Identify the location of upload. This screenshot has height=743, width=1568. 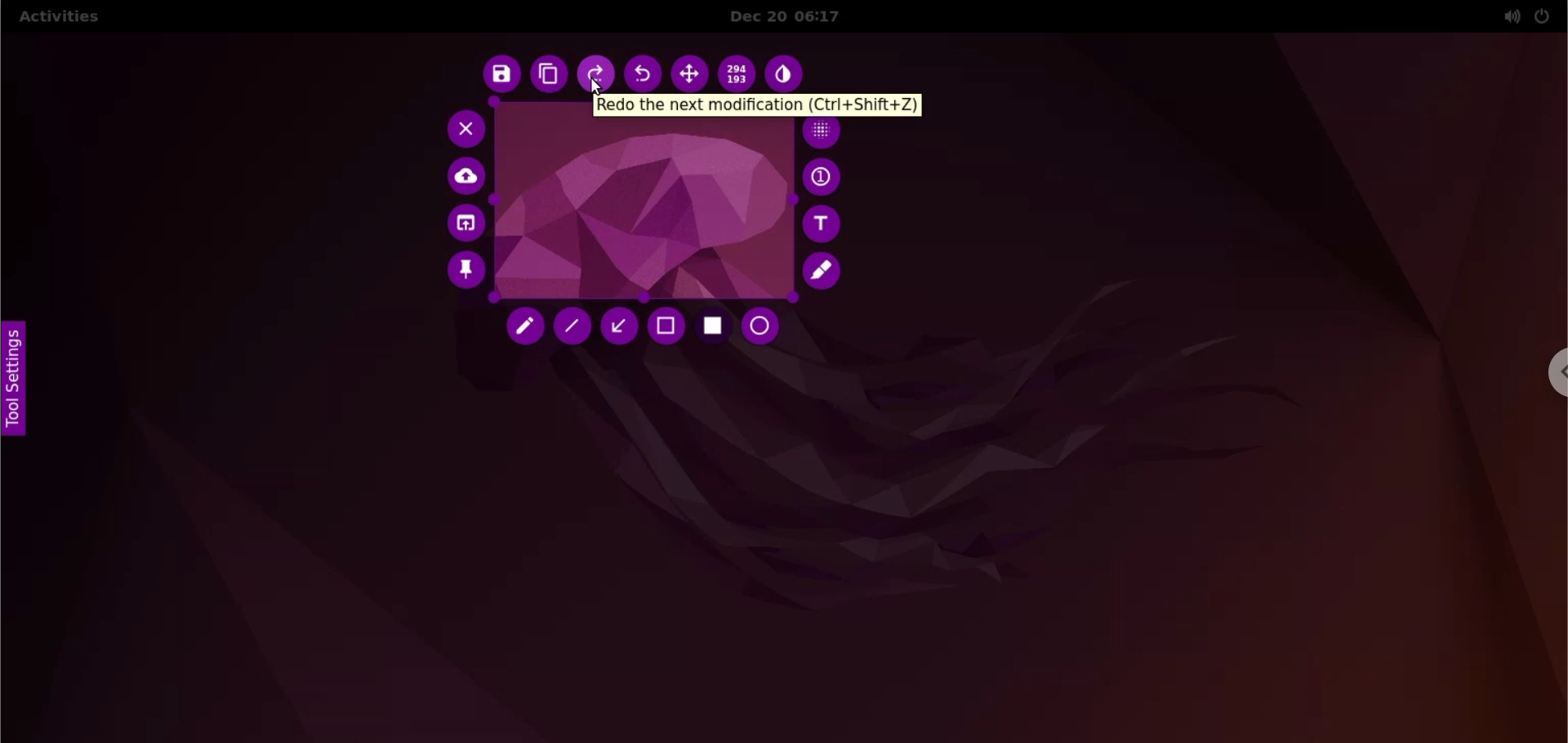
(468, 177).